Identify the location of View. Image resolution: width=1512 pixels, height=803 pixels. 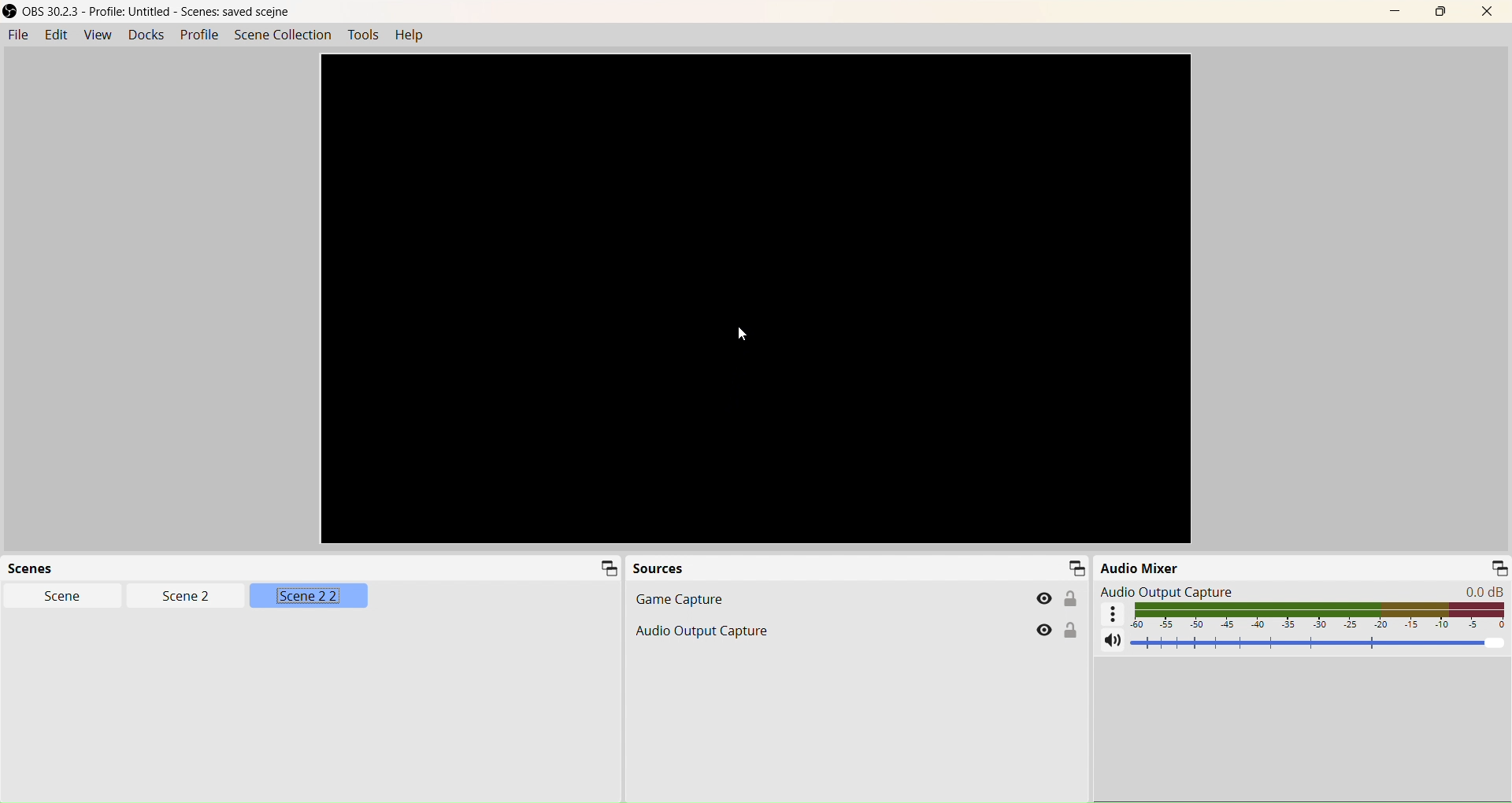
(97, 34).